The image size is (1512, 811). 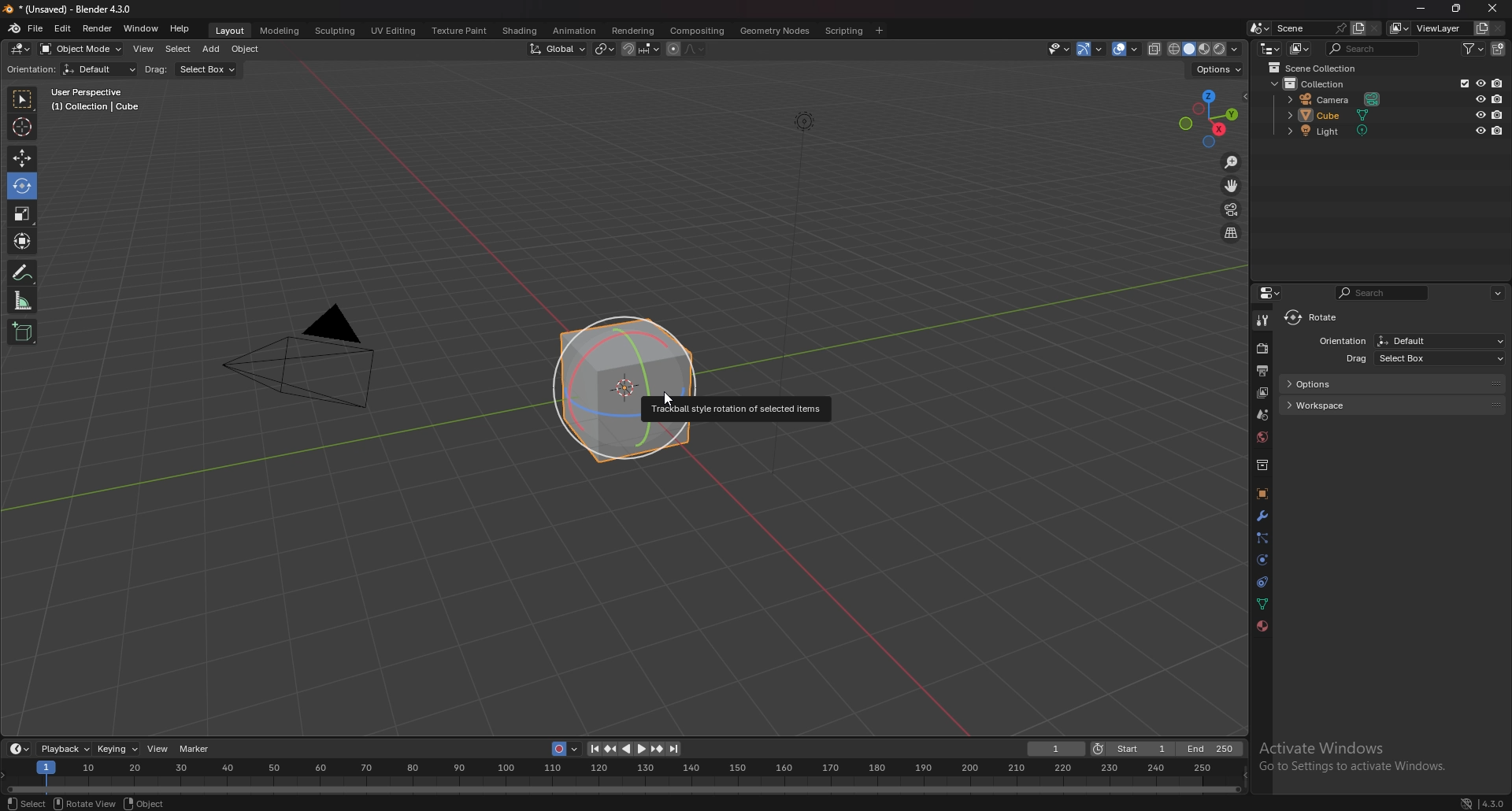 What do you see at coordinates (1440, 340) in the screenshot?
I see `Defalut` at bounding box center [1440, 340].